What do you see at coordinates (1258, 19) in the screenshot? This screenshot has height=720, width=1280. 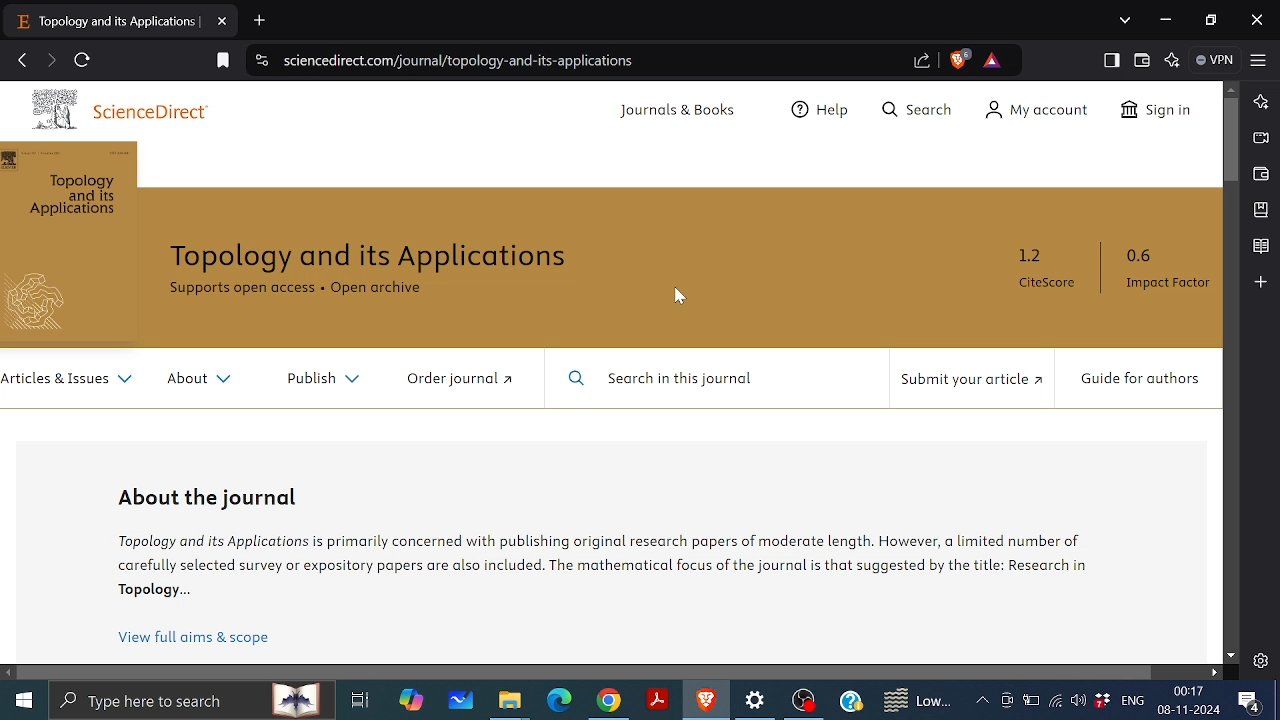 I see `Close` at bounding box center [1258, 19].